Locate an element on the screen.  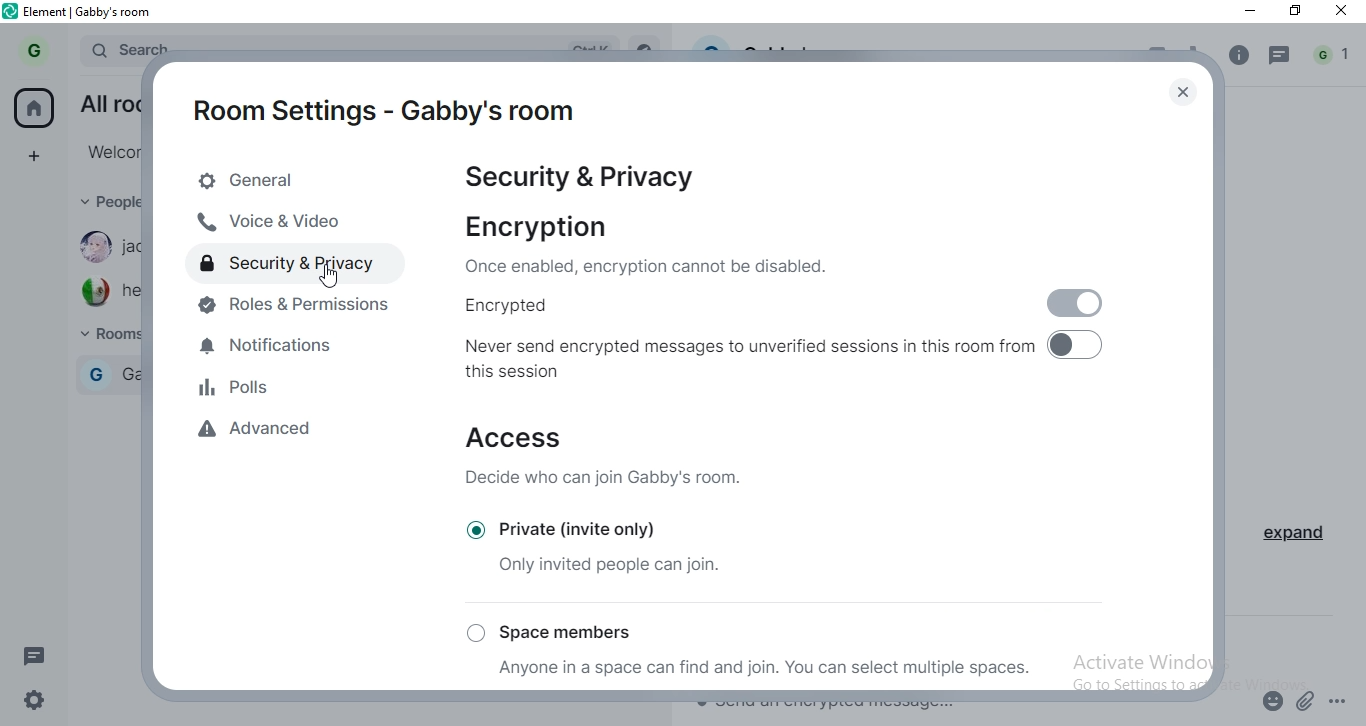
security & privacy is located at coordinates (299, 265).